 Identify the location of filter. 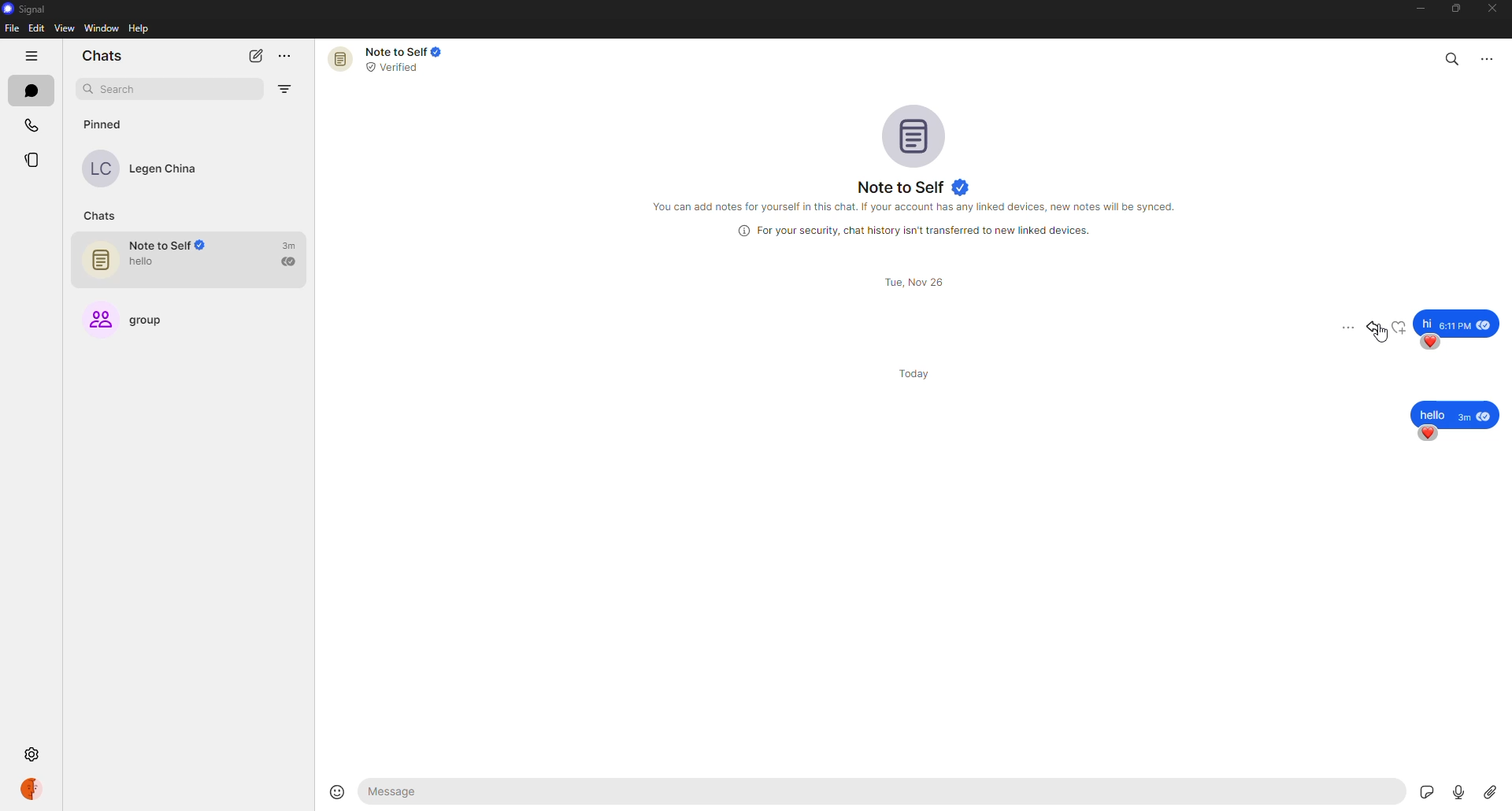
(286, 91).